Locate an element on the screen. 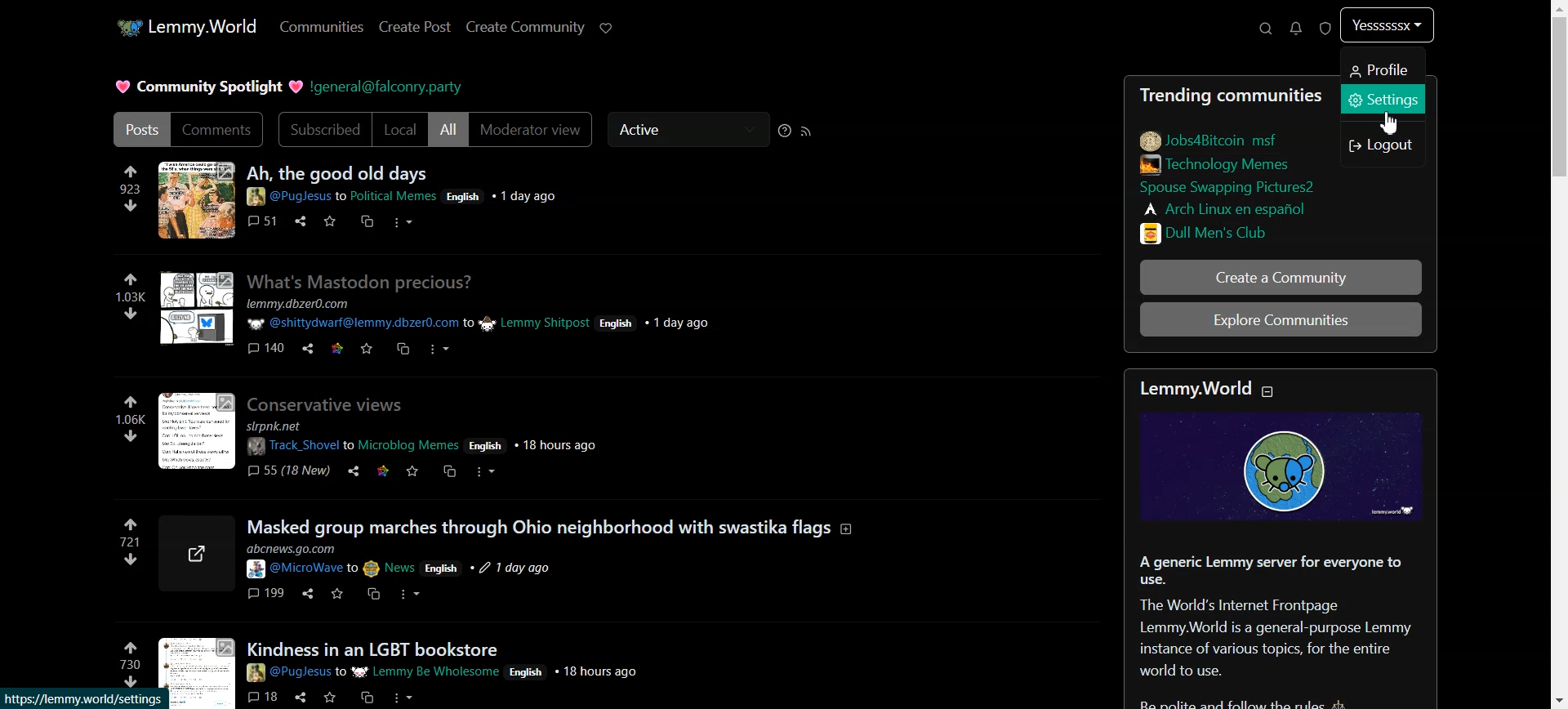 The height and width of the screenshot is (709, 1568). cross share is located at coordinates (448, 471).